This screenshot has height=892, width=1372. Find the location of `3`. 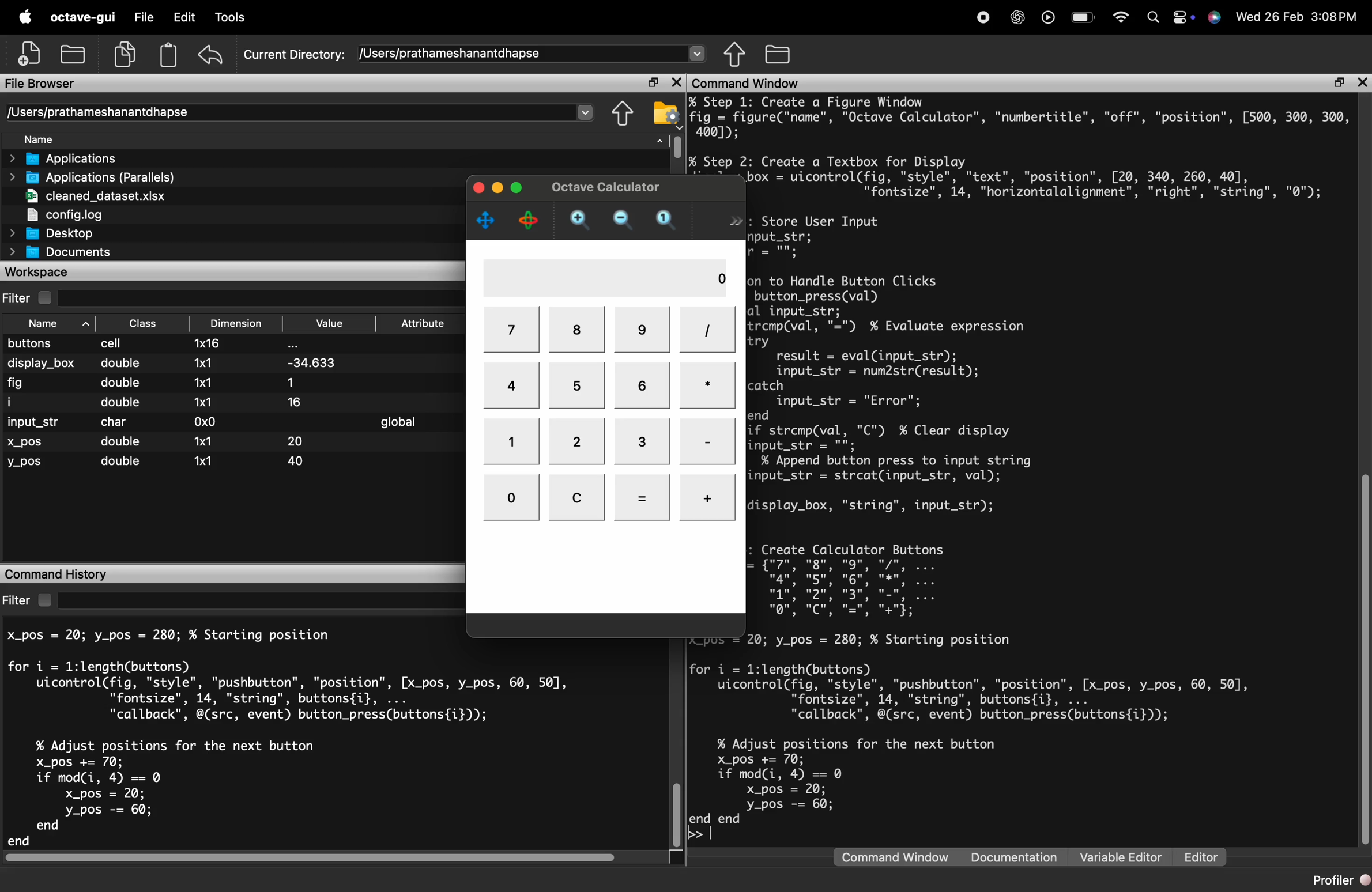

3 is located at coordinates (643, 442).